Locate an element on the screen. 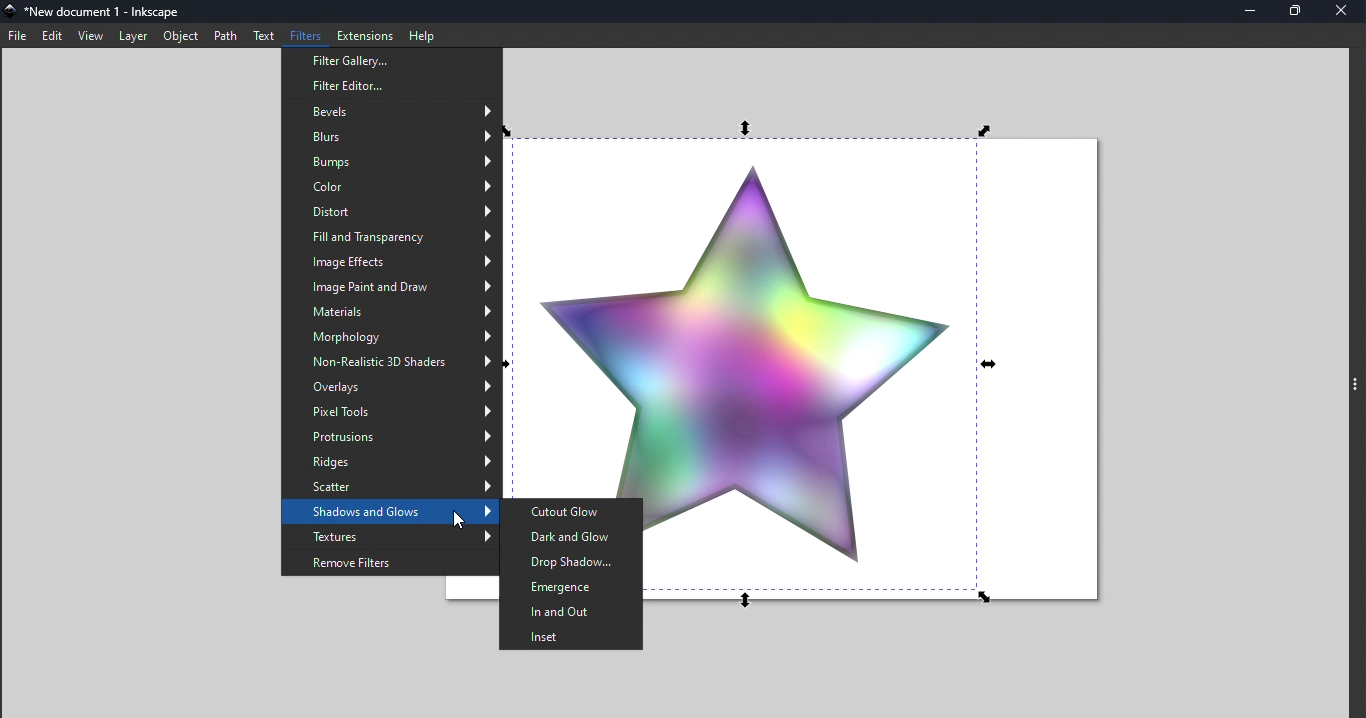  cursor is located at coordinates (455, 521).